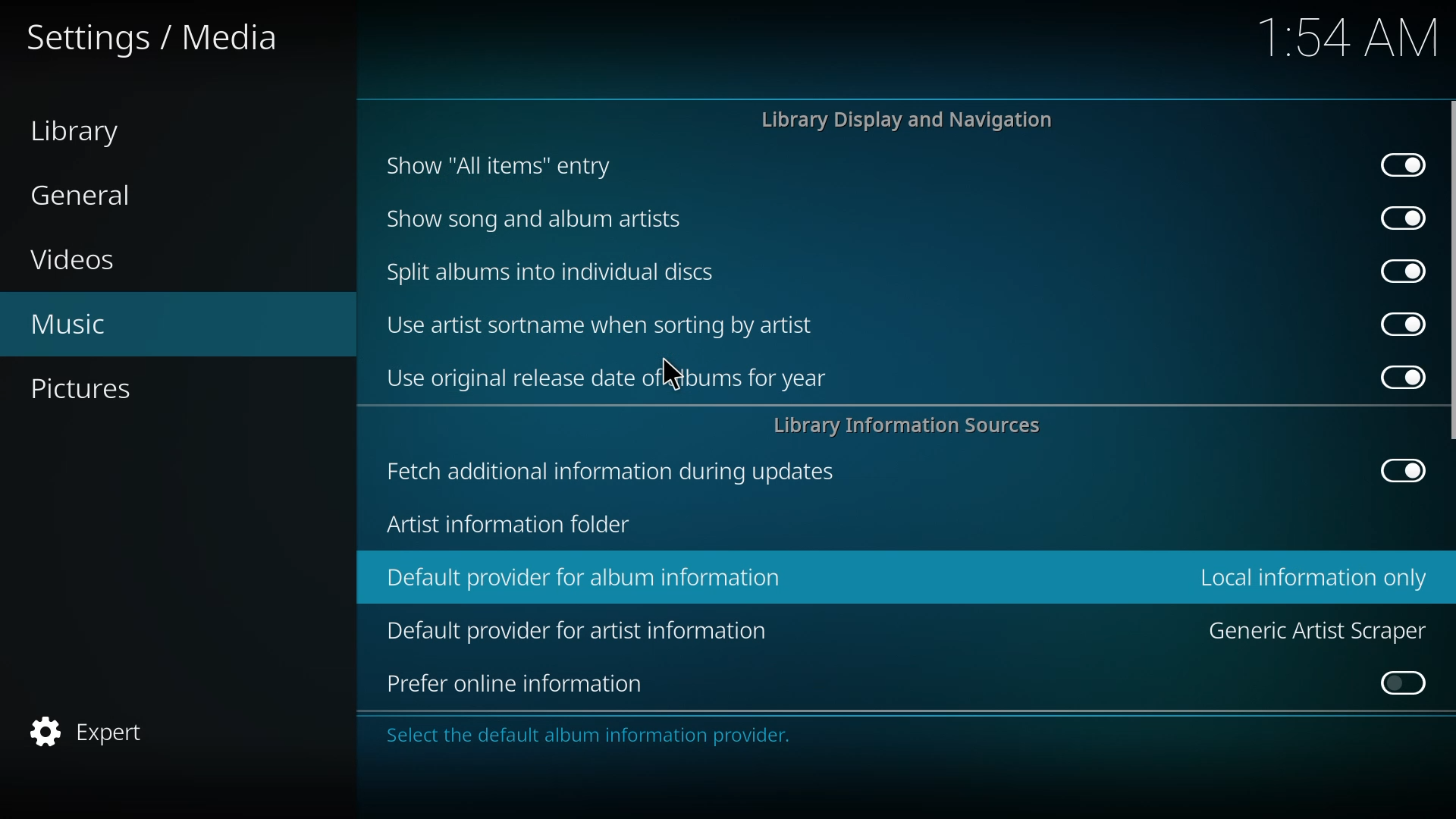  Describe the element at coordinates (861, 739) in the screenshot. I see `info` at that location.